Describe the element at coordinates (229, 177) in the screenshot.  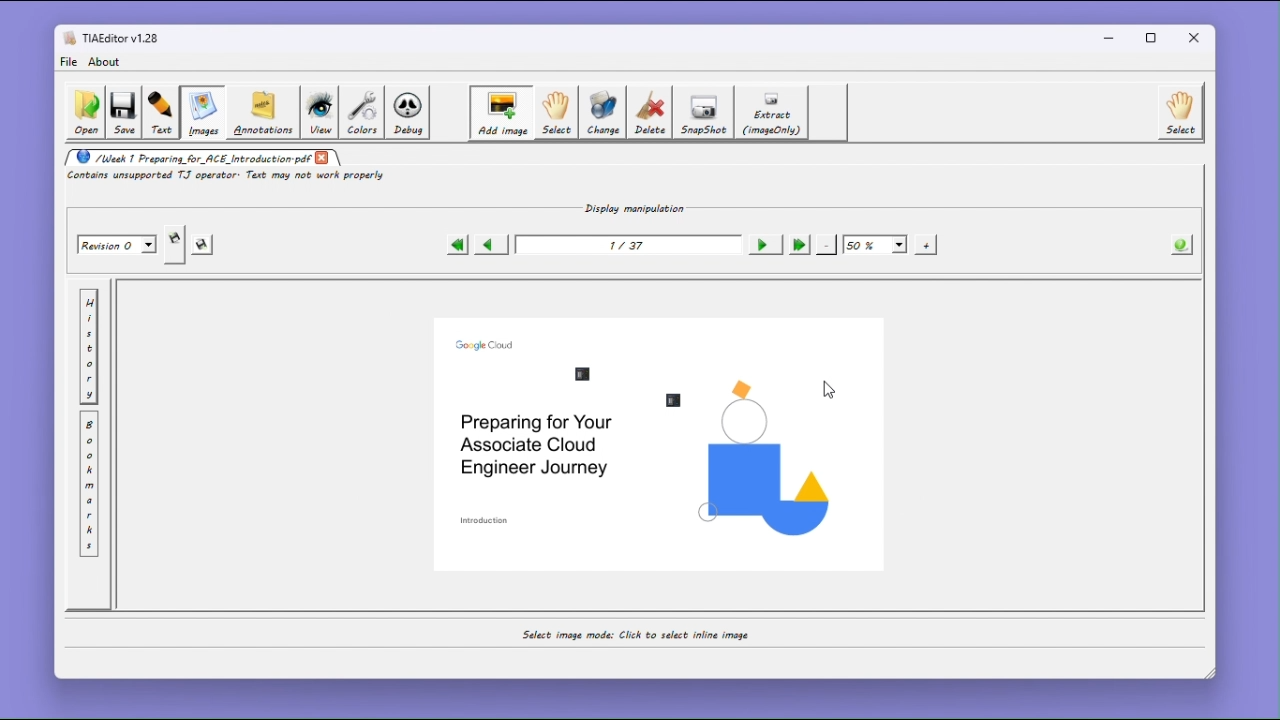
I see `Contains unsupported TJ operator. Text may not work properly` at that location.